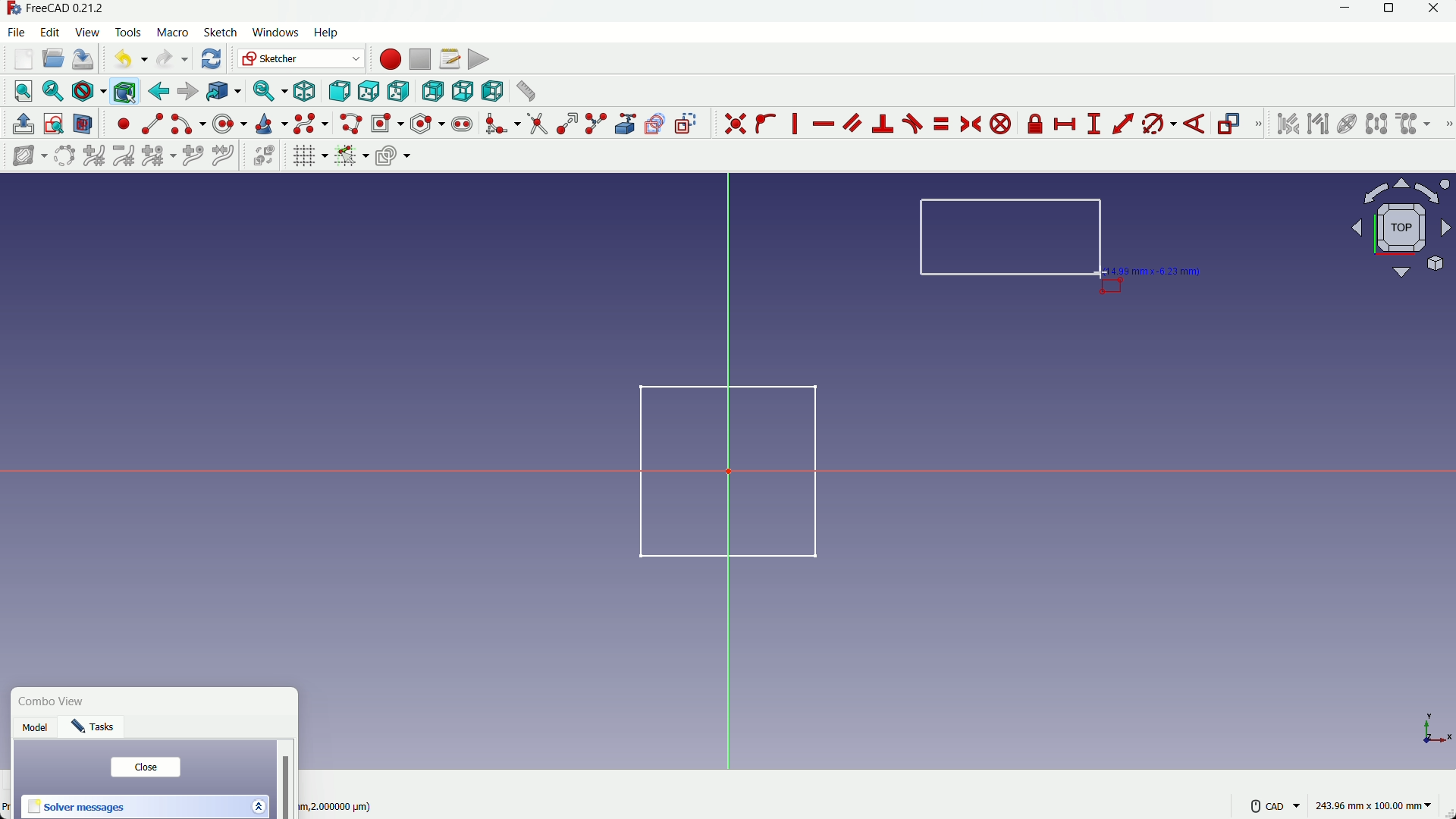  I want to click on refresh, so click(213, 58).